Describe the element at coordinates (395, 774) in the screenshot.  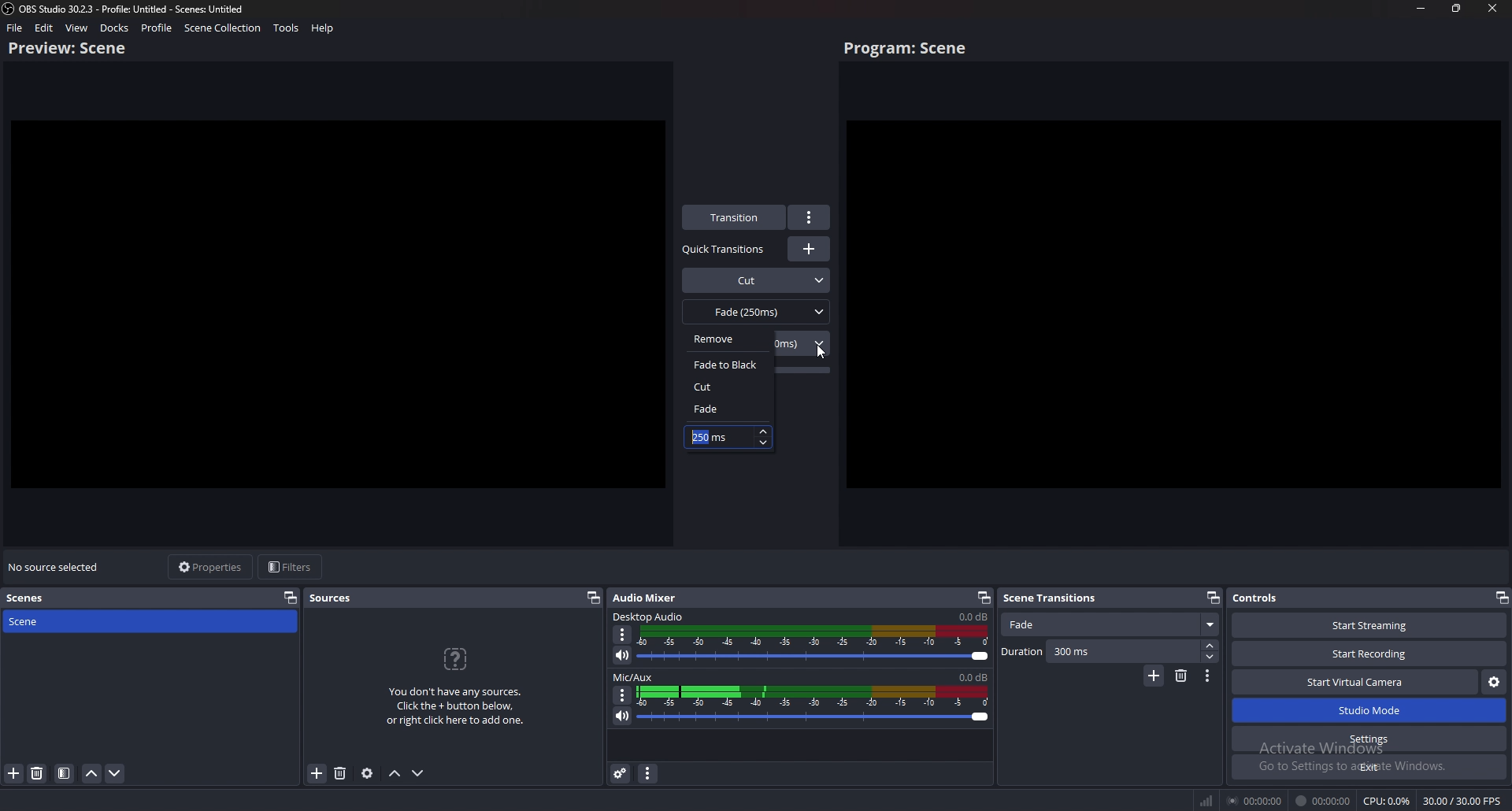
I see `Move sources up` at that location.